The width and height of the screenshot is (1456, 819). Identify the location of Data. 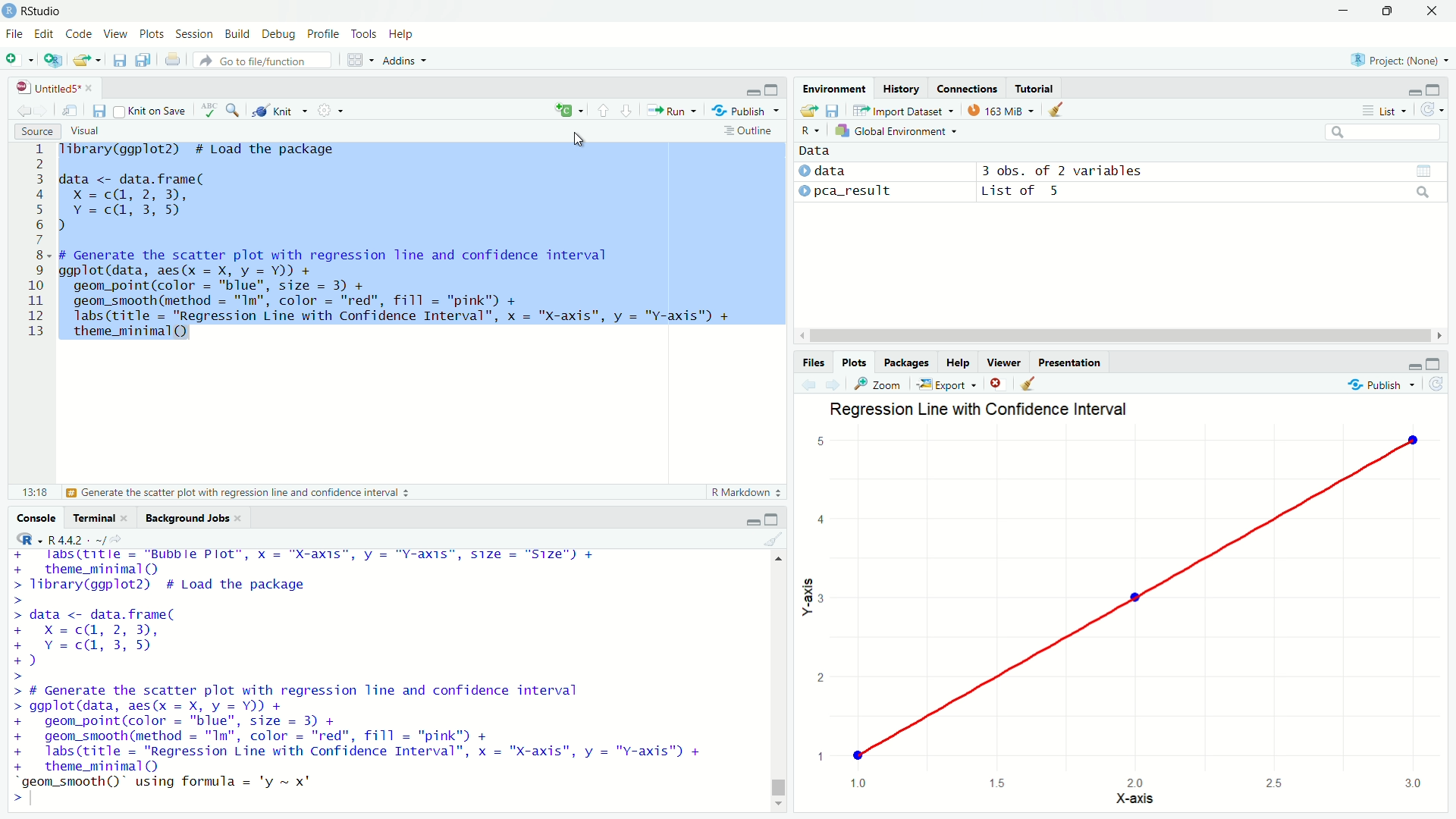
(814, 151).